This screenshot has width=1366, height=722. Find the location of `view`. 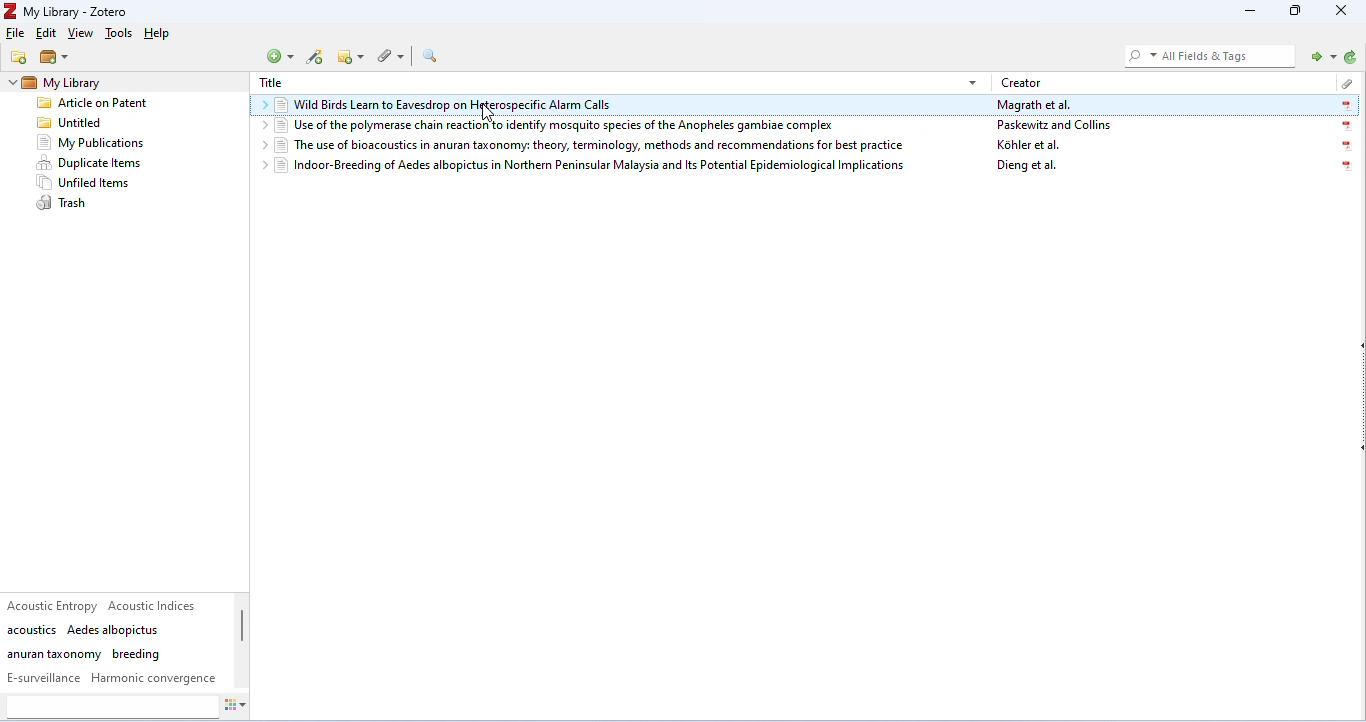

view is located at coordinates (83, 35).